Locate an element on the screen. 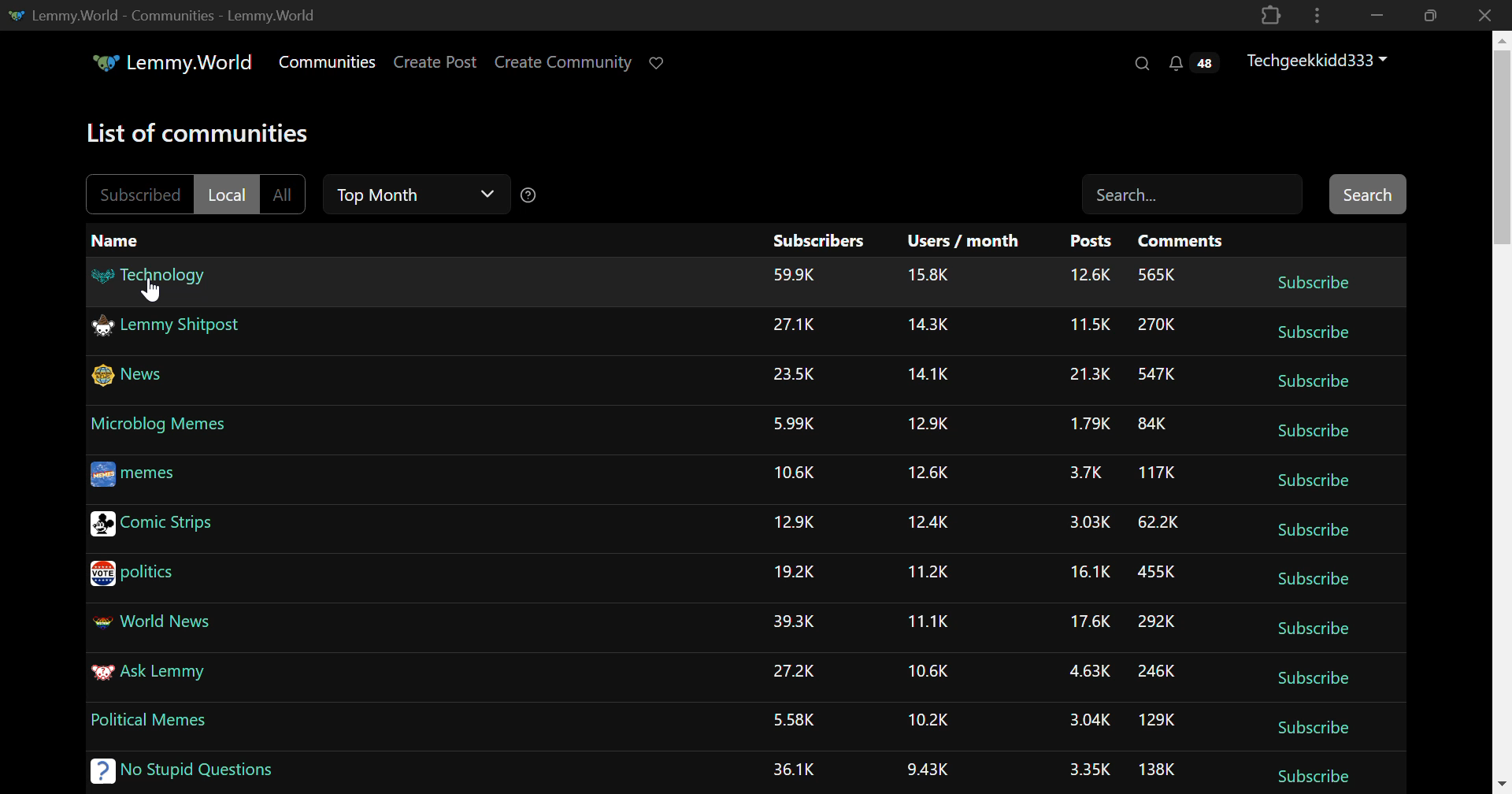  15.8K is located at coordinates (928, 279).